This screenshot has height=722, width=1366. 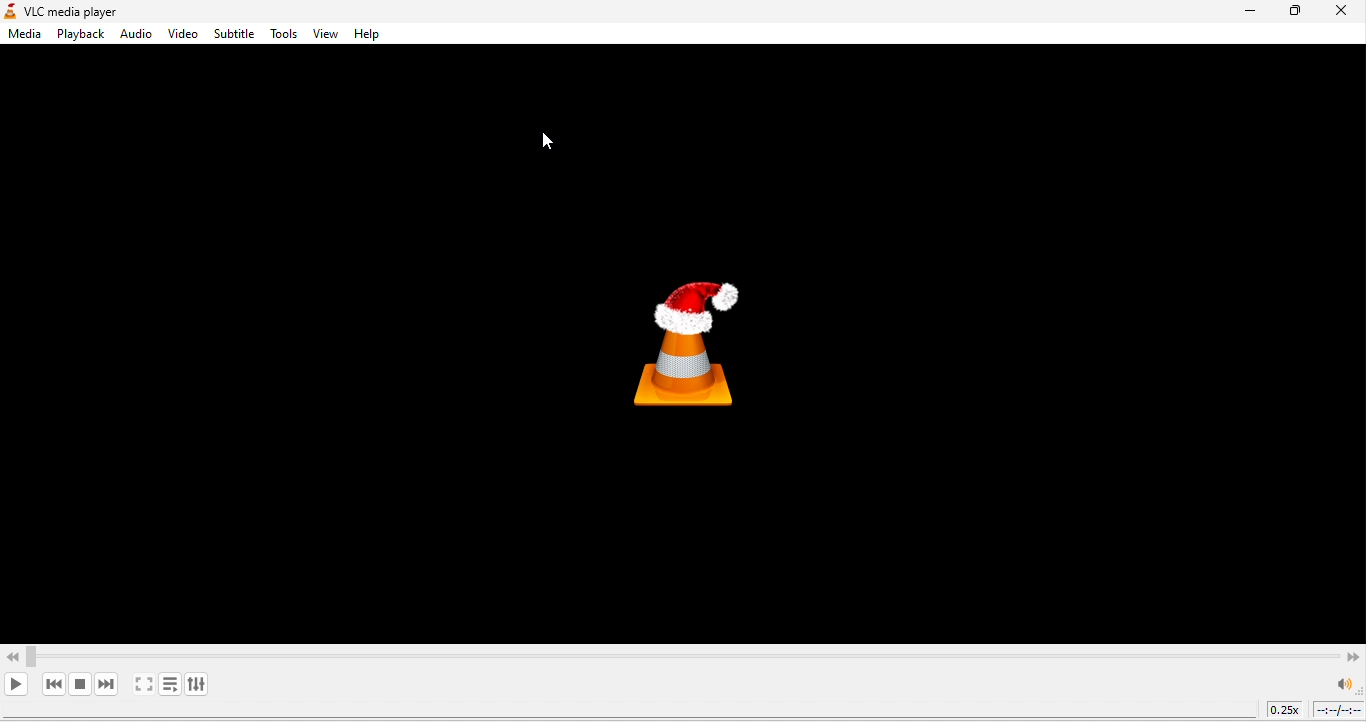 What do you see at coordinates (324, 36) in the screenshot?
I see `view` at bounding box center [324, 36].